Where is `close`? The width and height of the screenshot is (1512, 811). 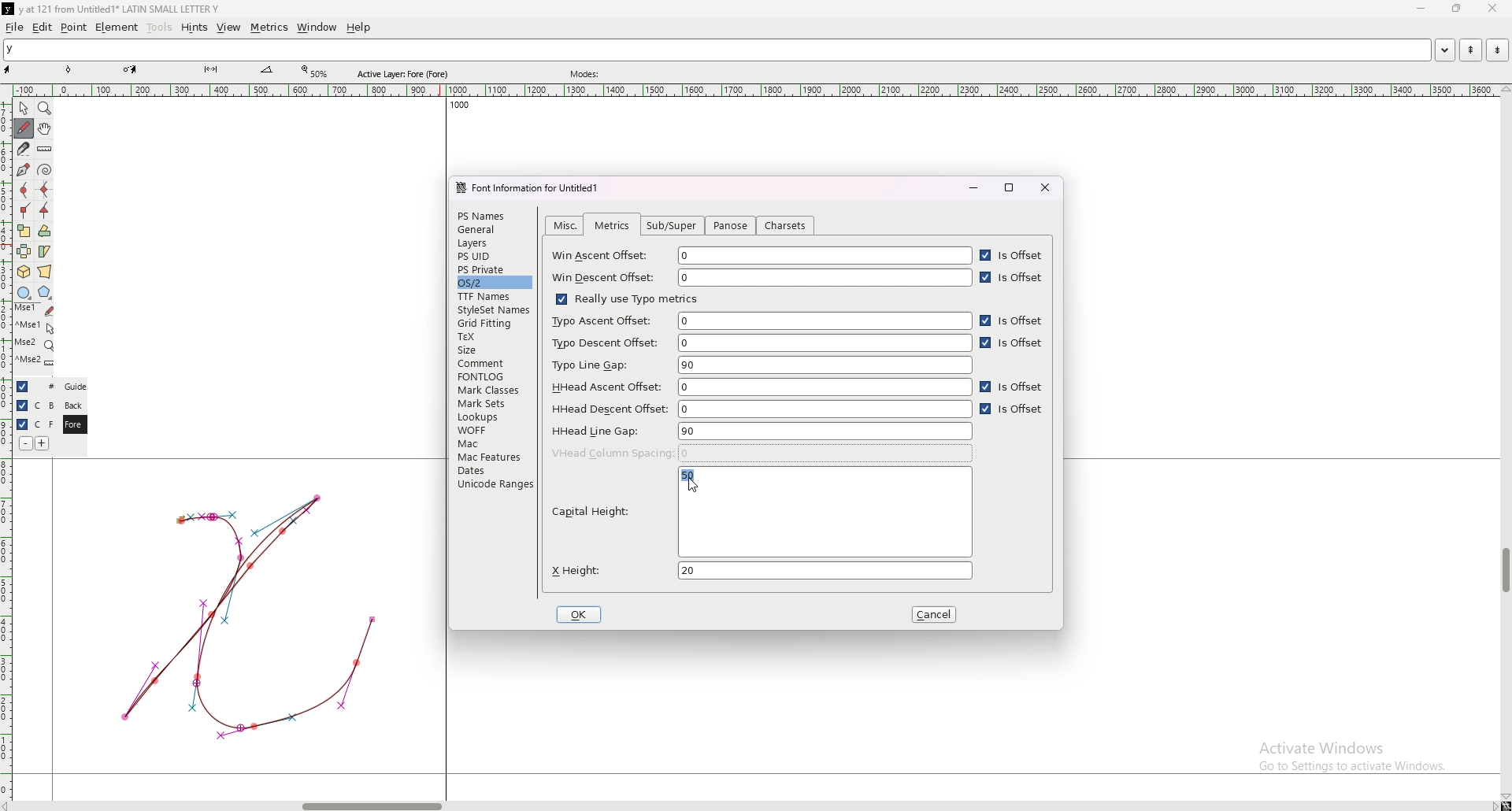
close is located at coordinates (1046, 187).